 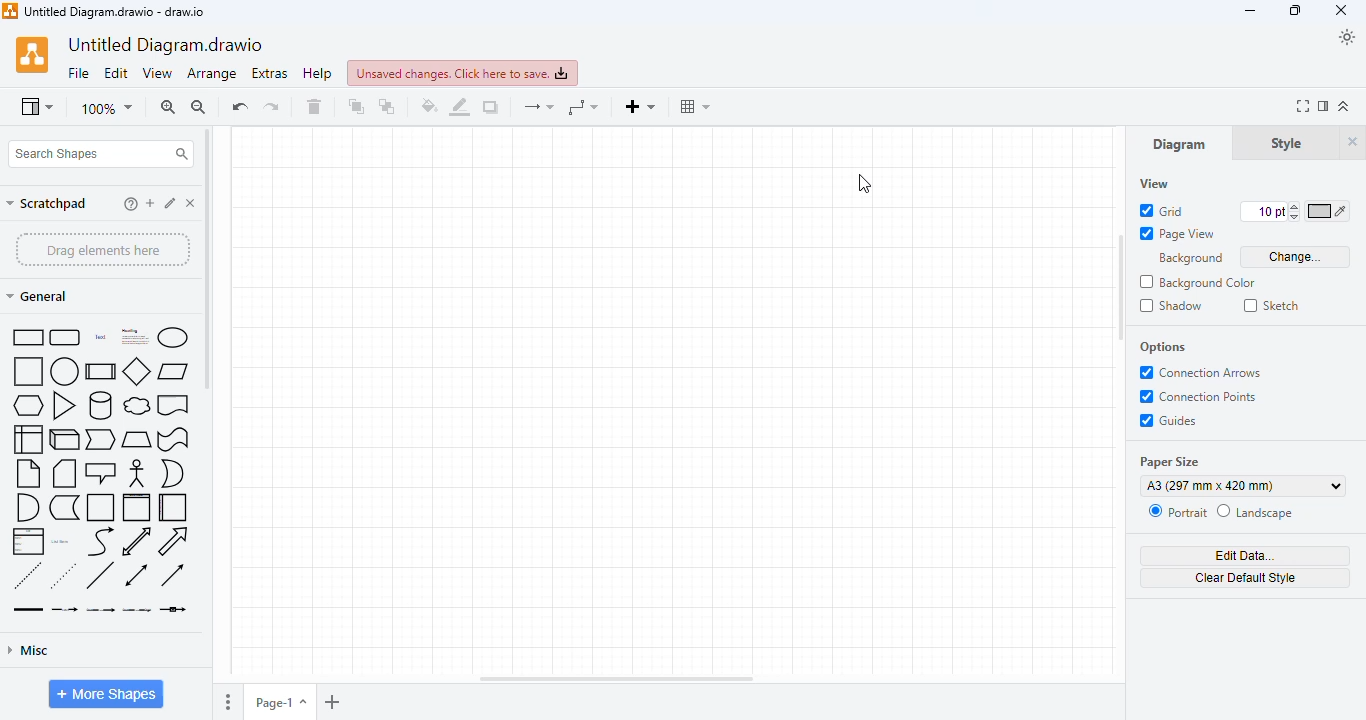 I want to click on insert page, so click(x=333, y=703).